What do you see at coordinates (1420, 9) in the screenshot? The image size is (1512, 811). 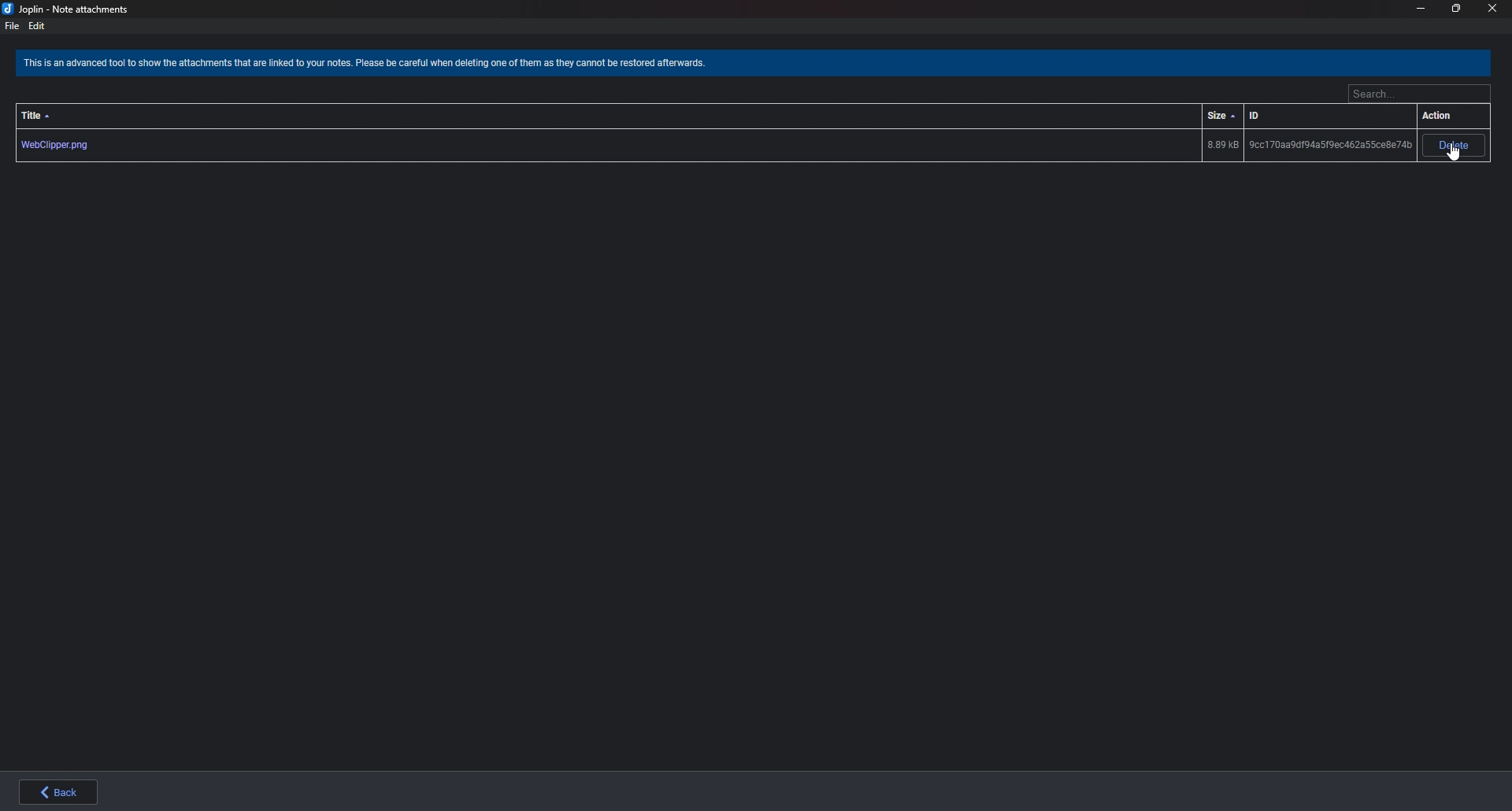 I see `Minimize` at bounding box center [1420, 9].